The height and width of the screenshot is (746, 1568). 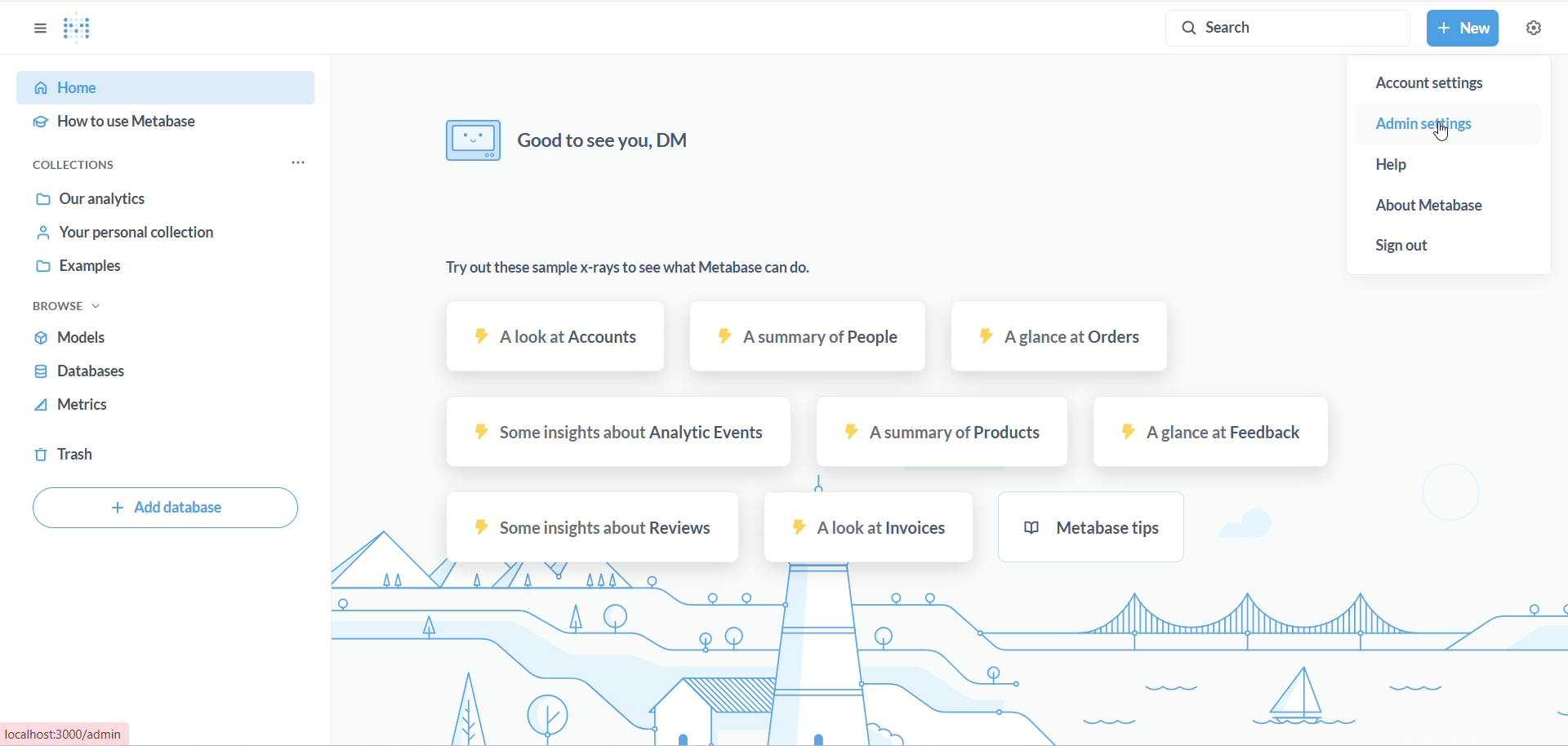 I want to click on a look at invoices, so click(x=870, y=529).